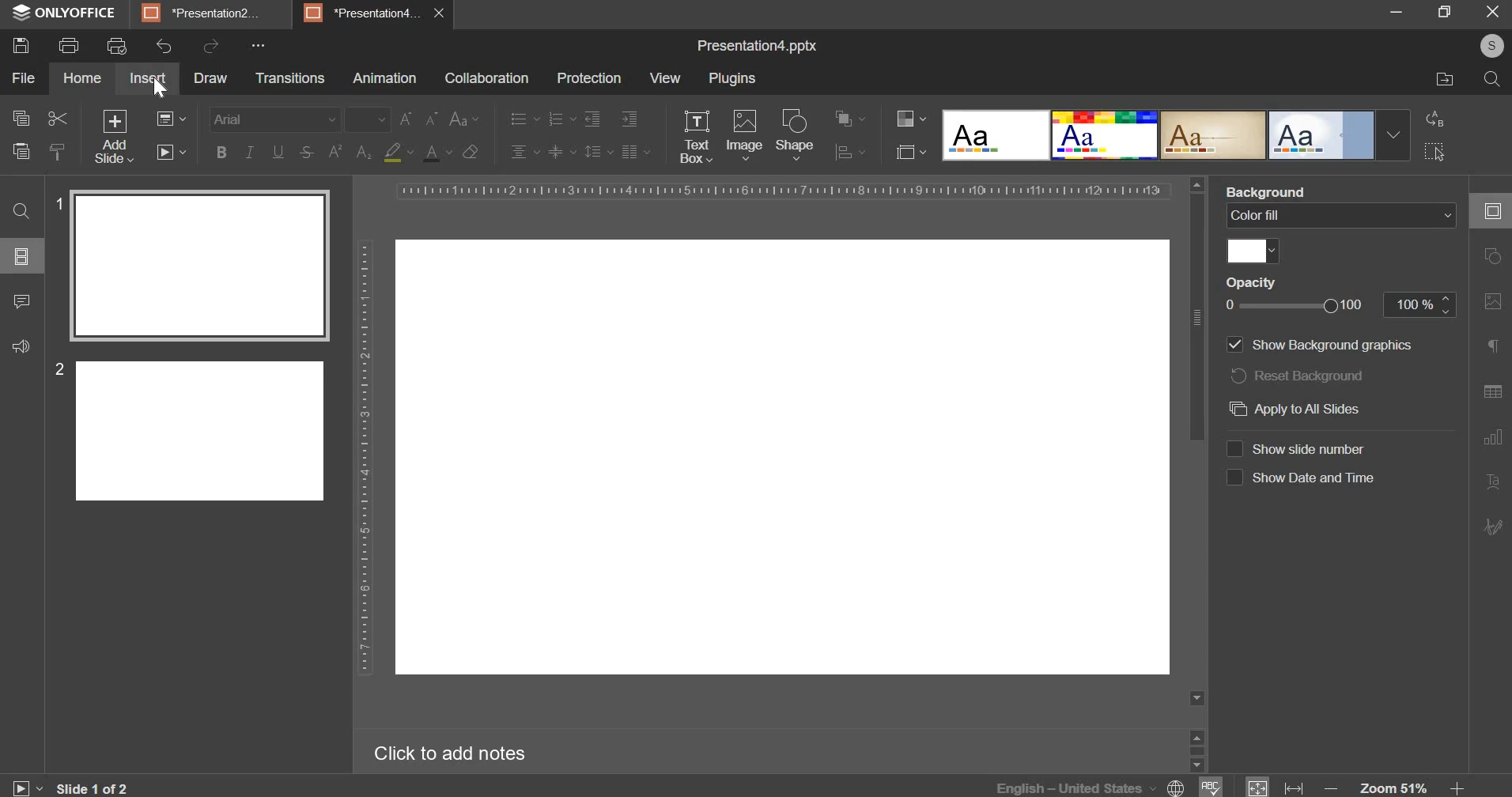 This screenshot has width=1512, height=797. Describe the element at coordinates (20, 119) in the screenshot. I see `copy` at that location.